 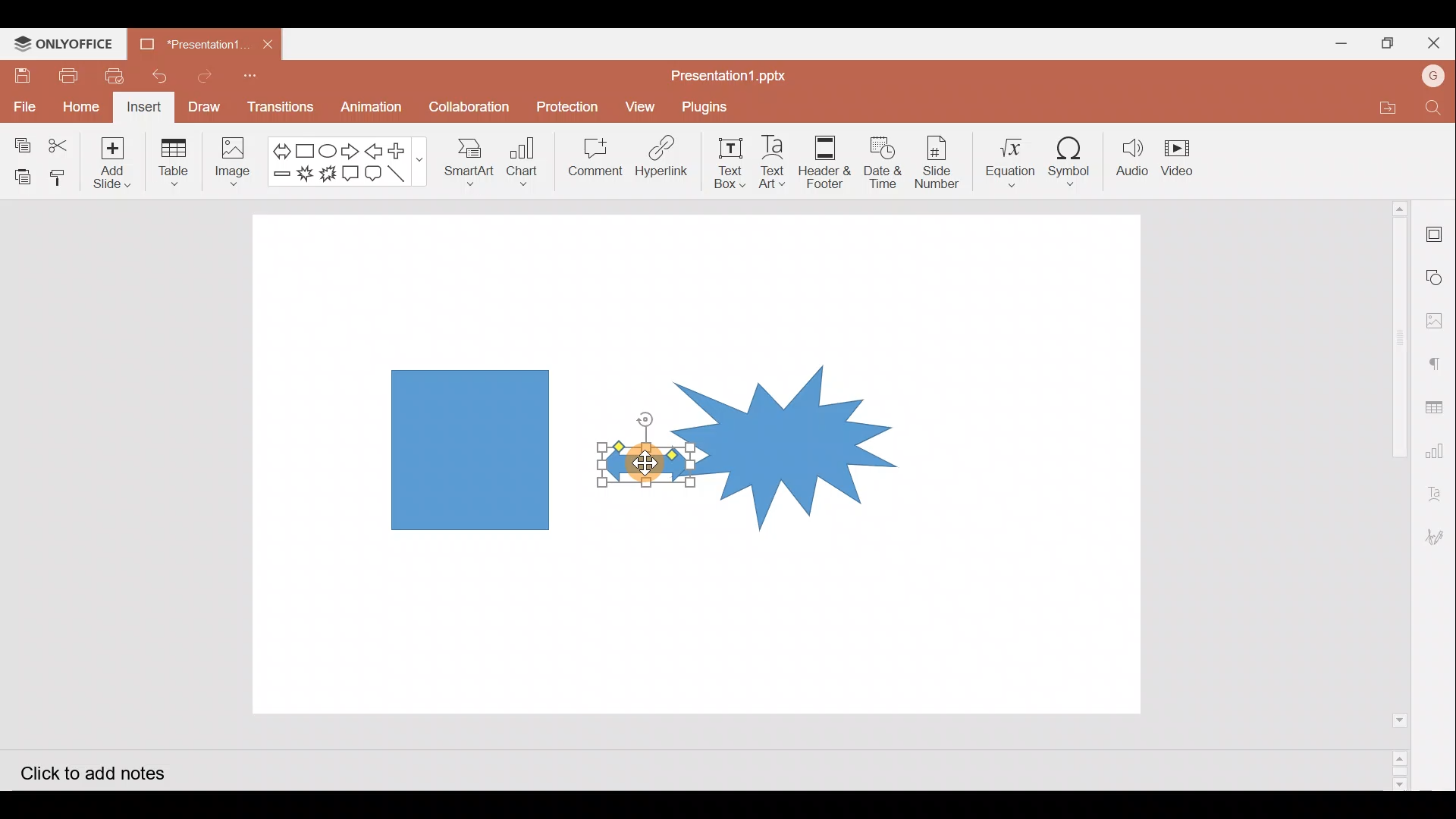 I want to click on Shapes settings, so click(x=1436, y=275).